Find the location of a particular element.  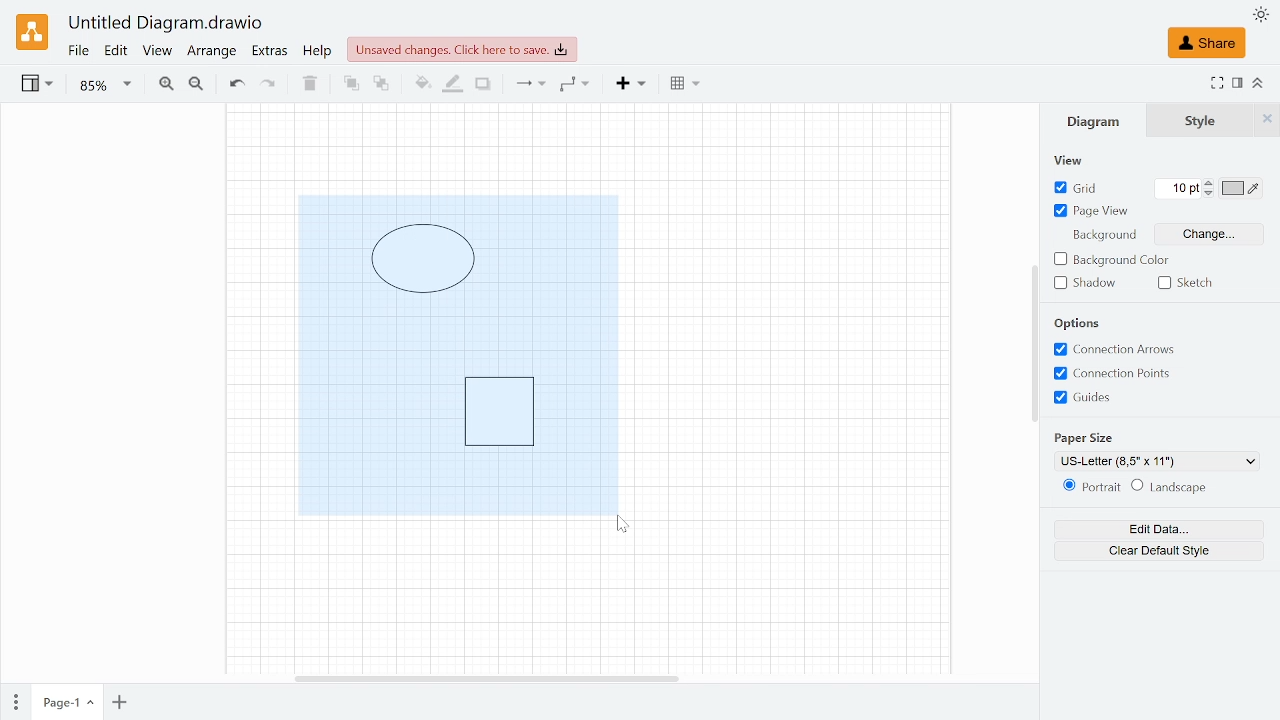

Guides is located at coordinates (1090, 398).